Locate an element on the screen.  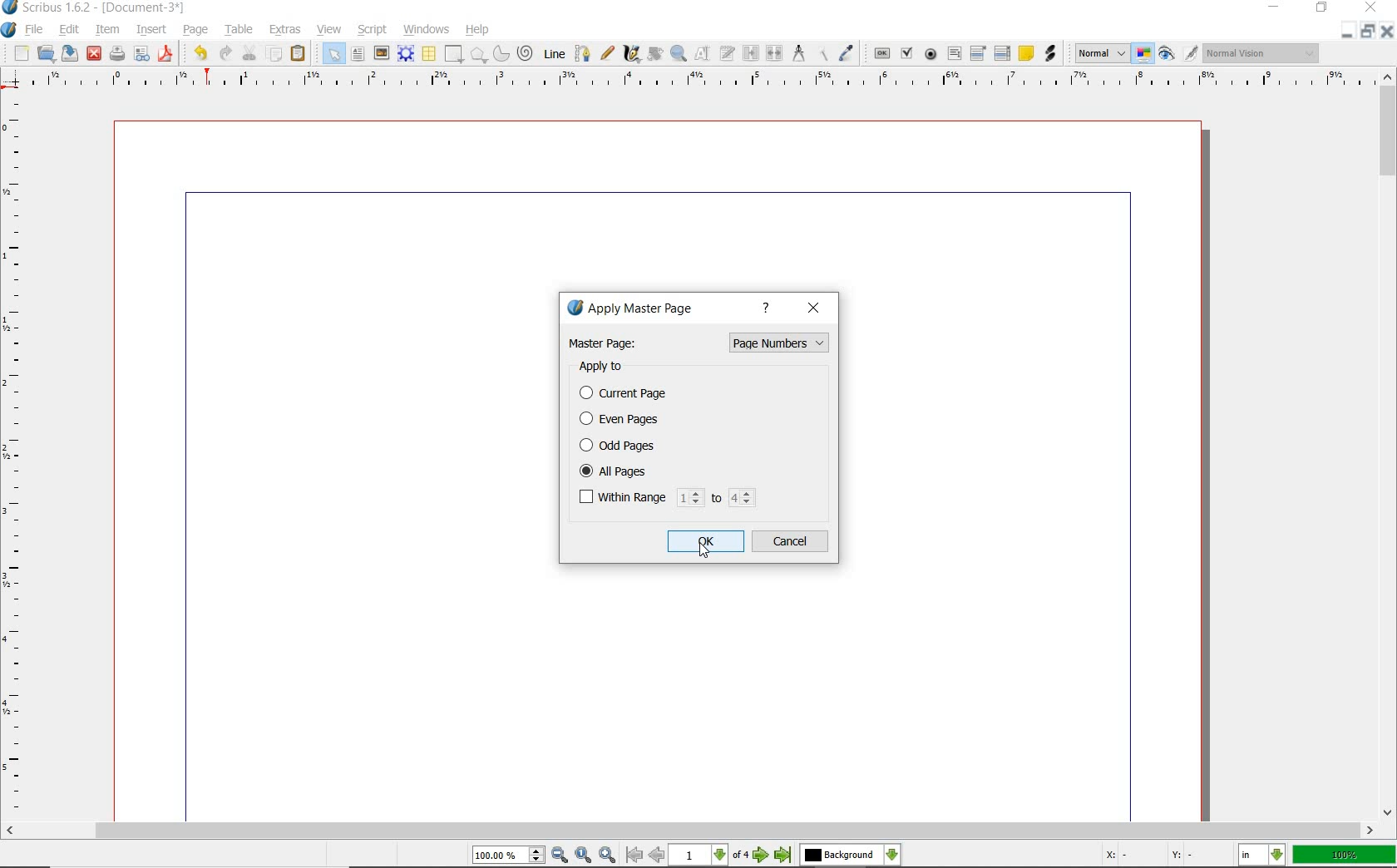
edit is located at coordinates (67, 28).